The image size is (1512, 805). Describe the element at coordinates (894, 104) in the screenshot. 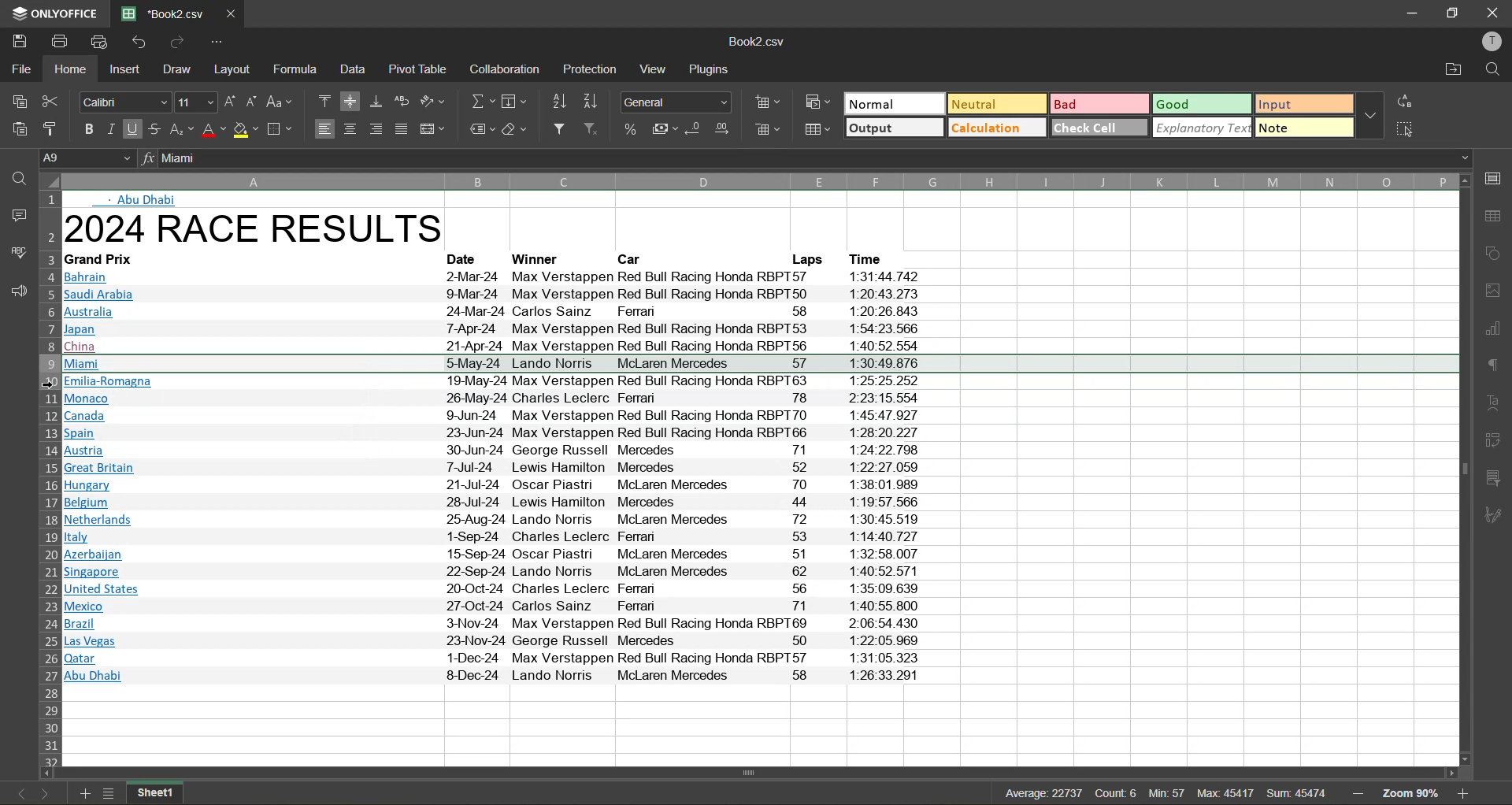

I see `normal` at that location.